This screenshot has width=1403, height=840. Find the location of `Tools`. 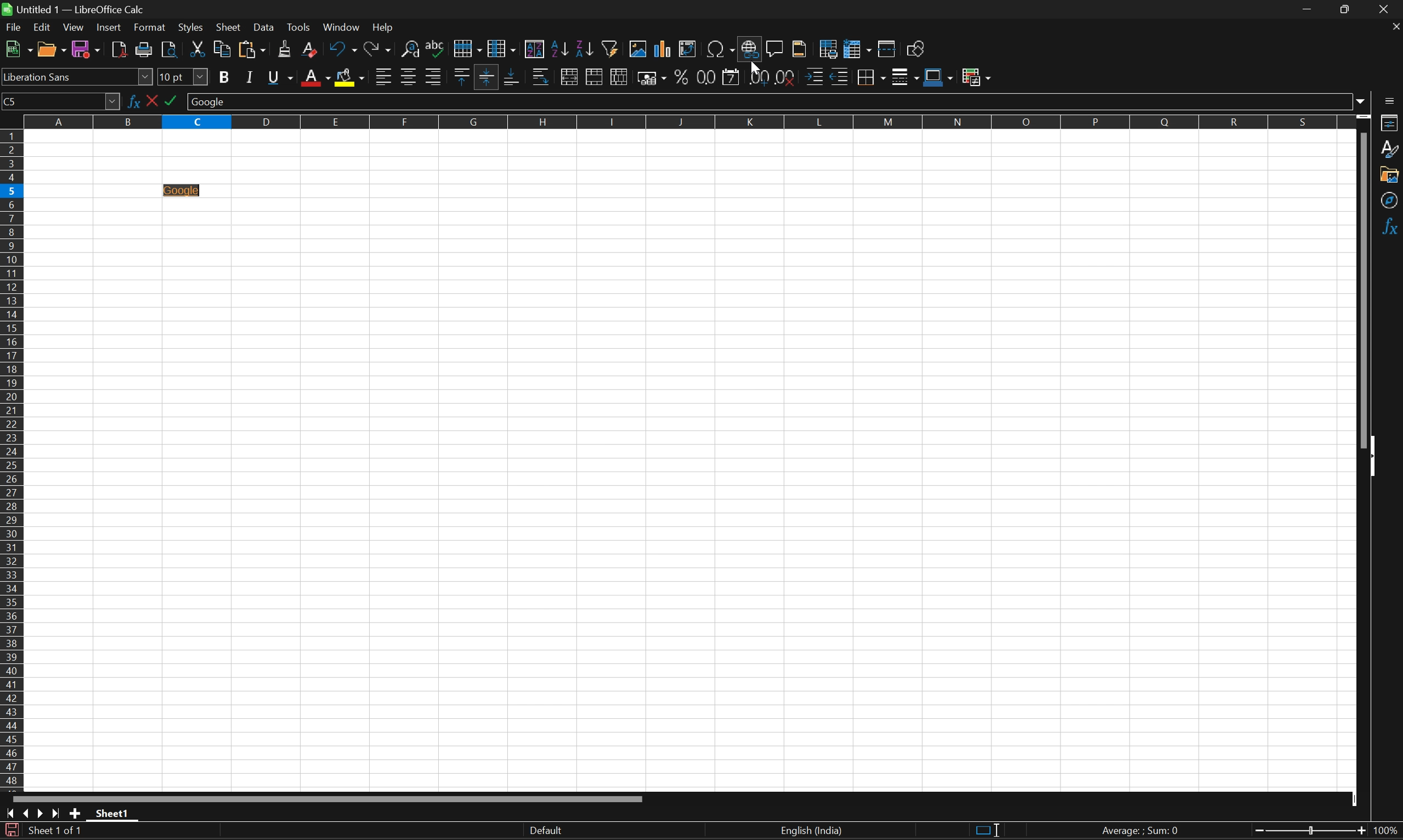

Tools is located at coordinates (301, 28).